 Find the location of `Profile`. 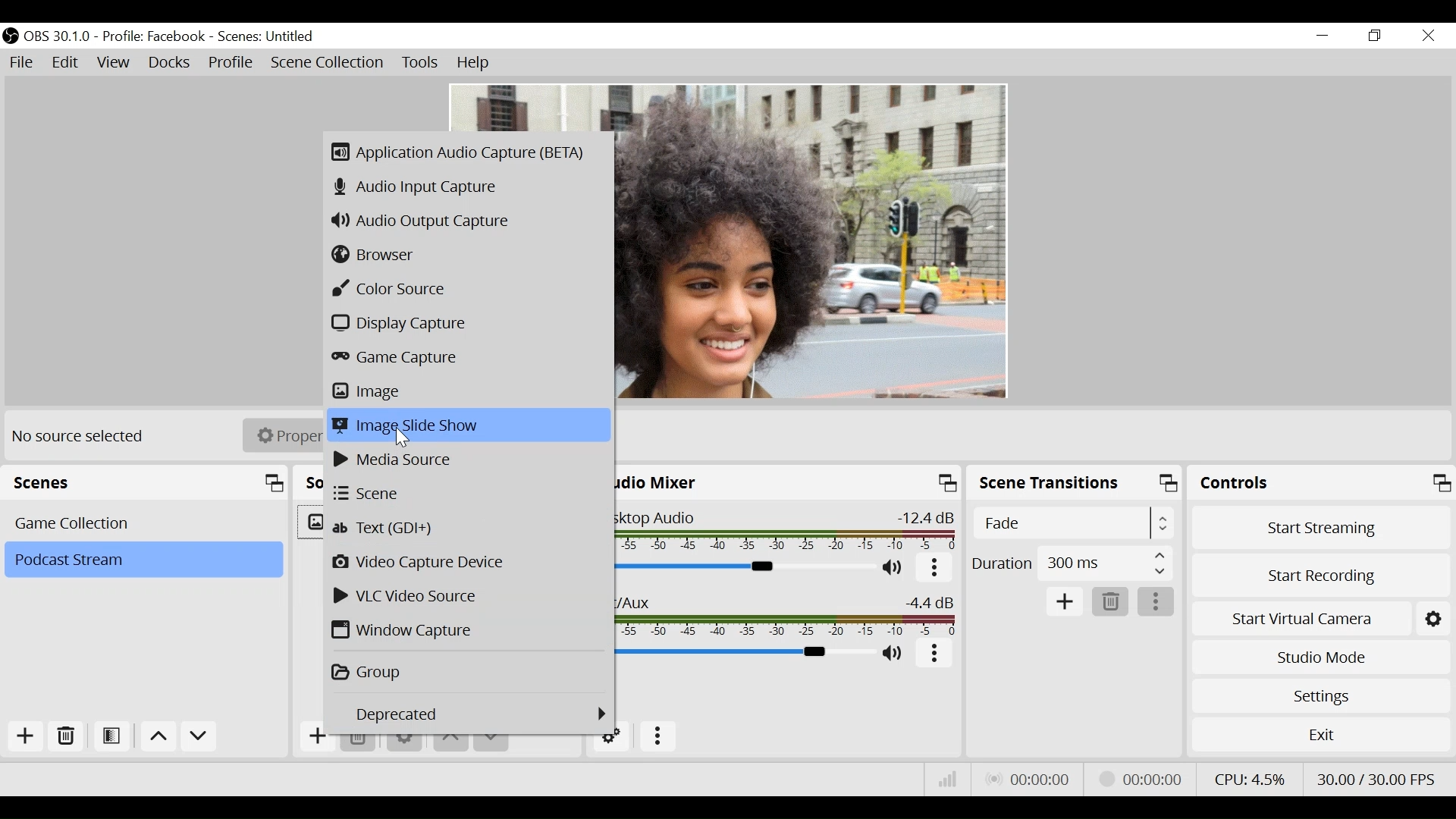

Profile is located at coordinates (154, 36).